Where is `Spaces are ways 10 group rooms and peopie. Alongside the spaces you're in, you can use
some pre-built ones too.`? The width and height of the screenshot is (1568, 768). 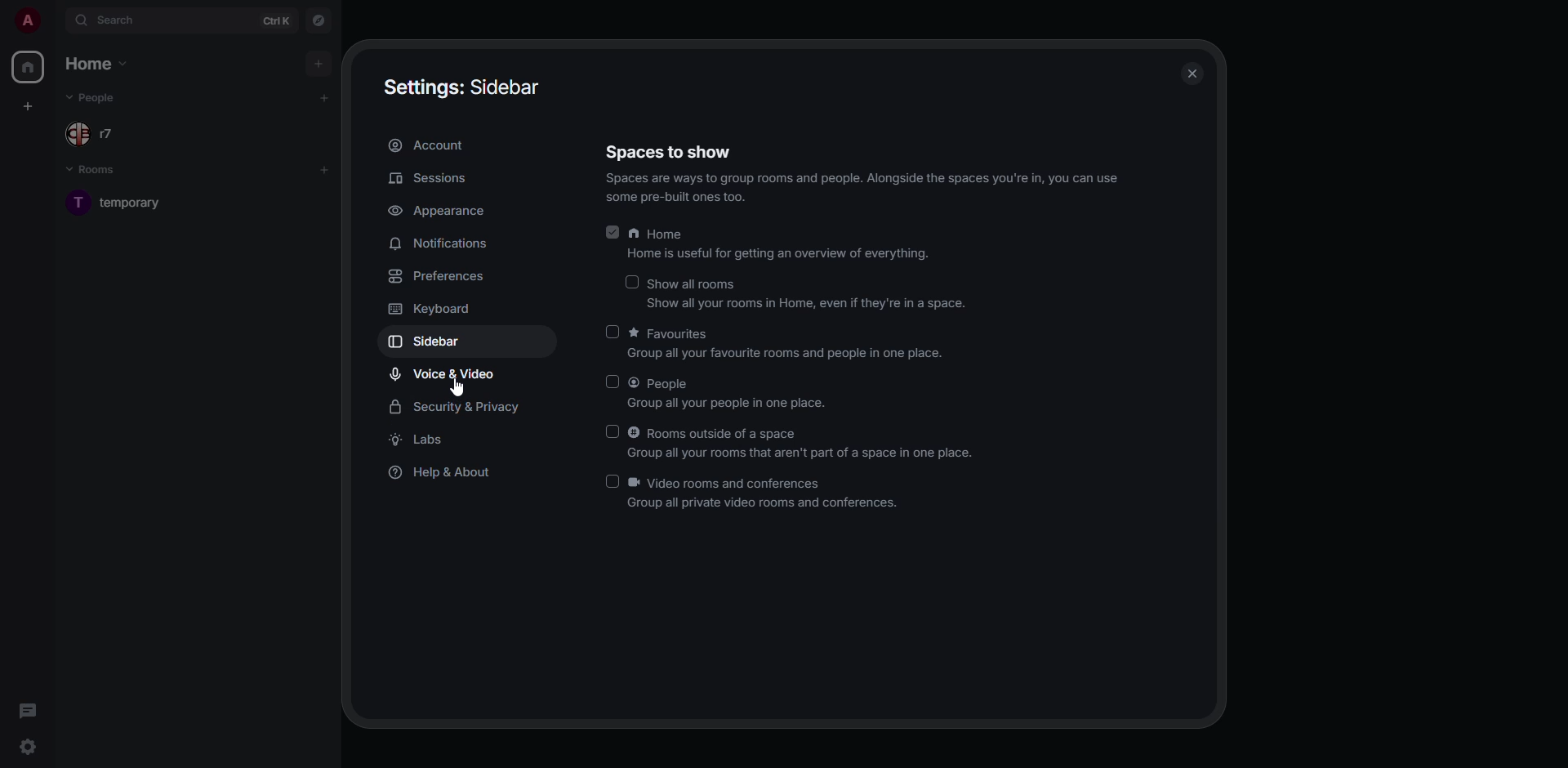
Spaces are ways 10 group rooms and peopie. Alongside the spaces you're in, you can use
some pre-built ones too. is located at coordinates (849, 189).